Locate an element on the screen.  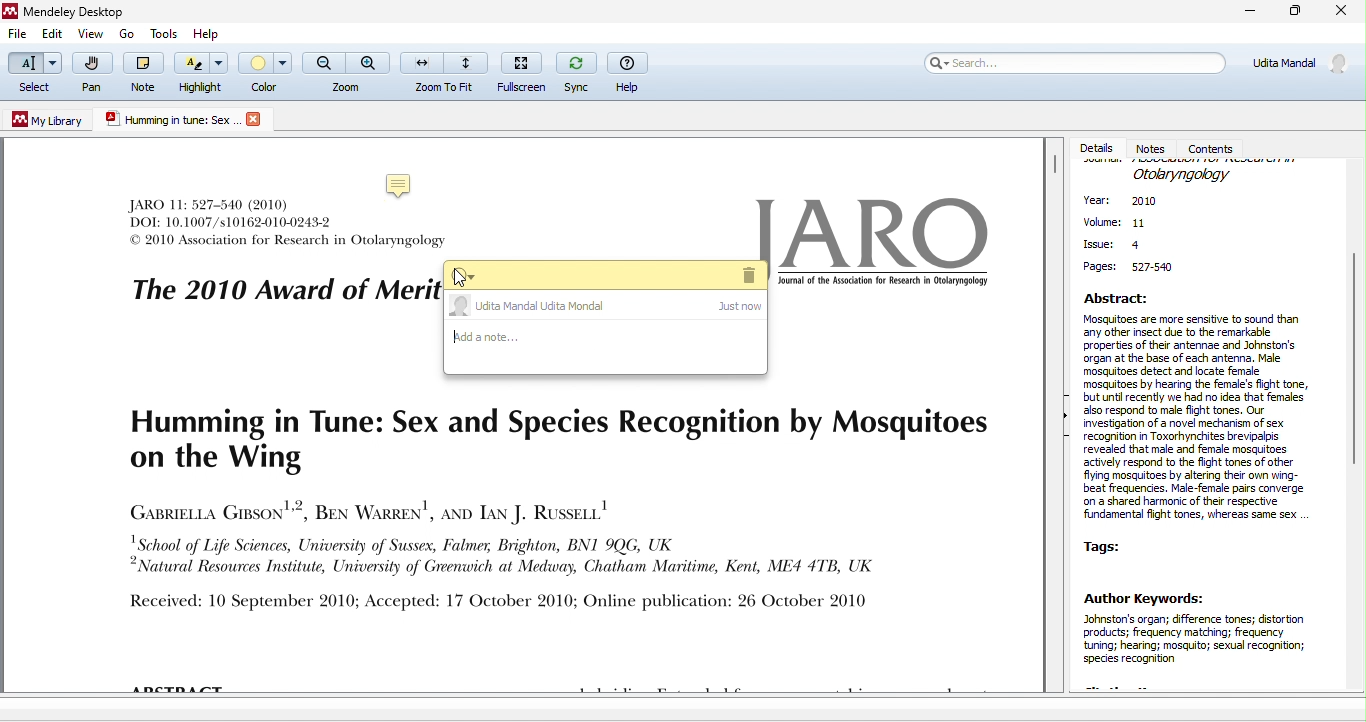
maximize is located at coordinates (1293, 14).